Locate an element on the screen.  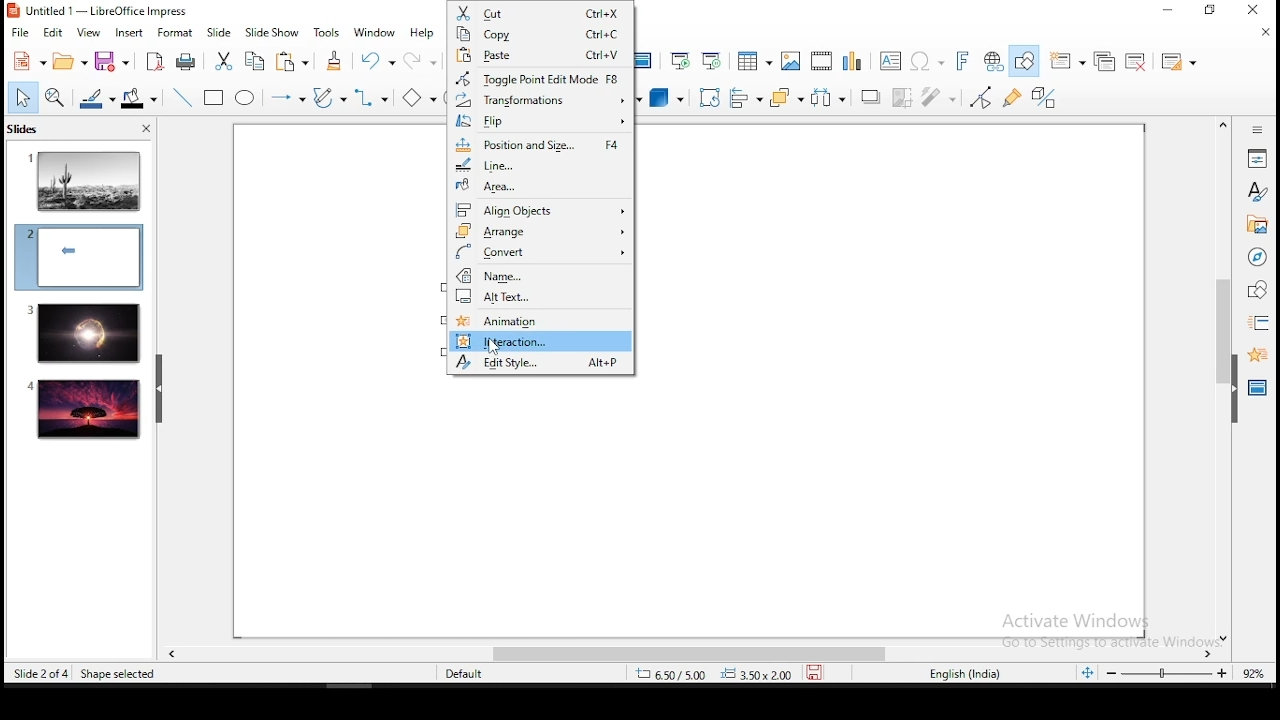
copy is located at coordinates (252, 61).